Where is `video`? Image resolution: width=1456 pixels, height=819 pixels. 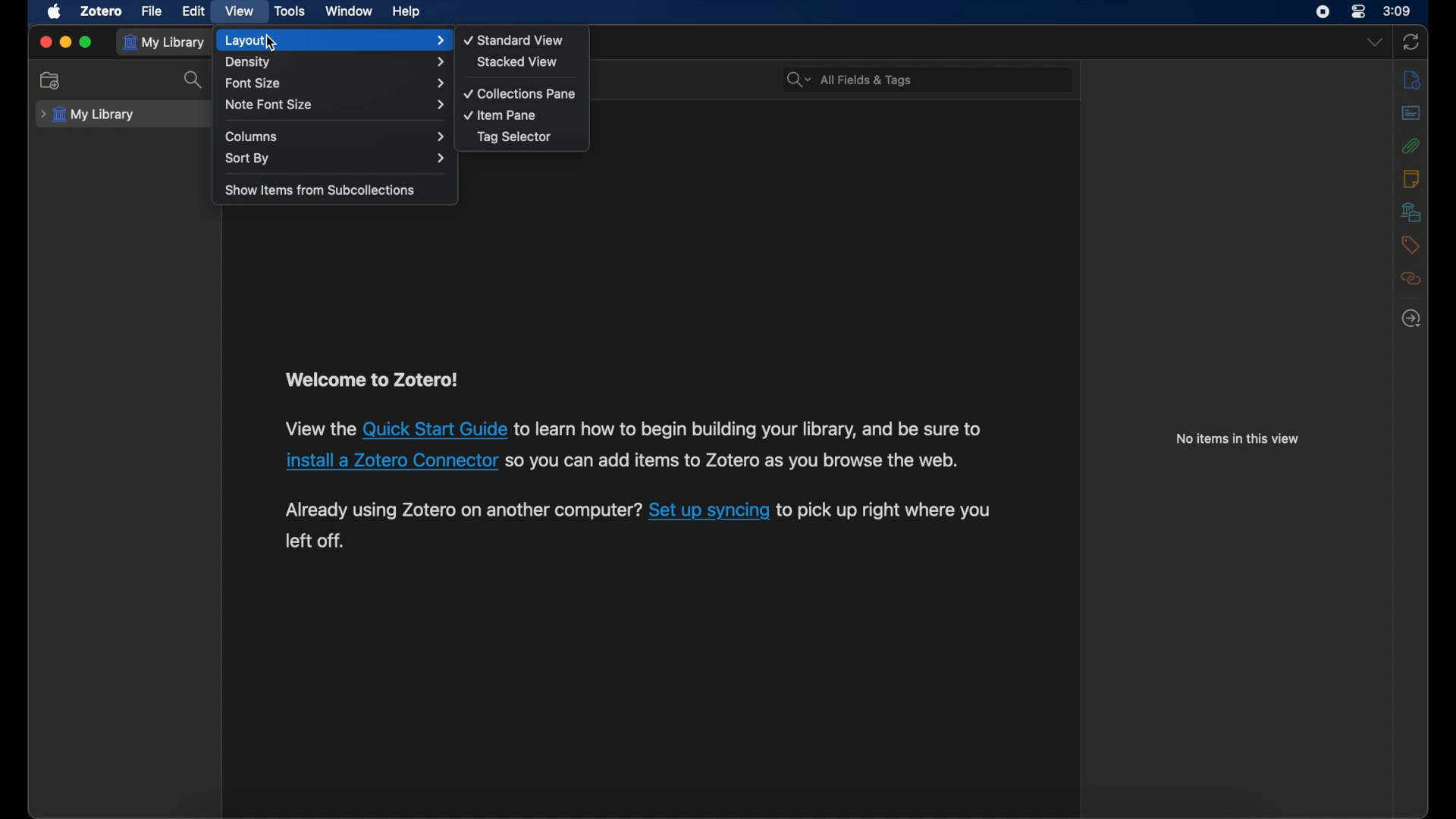
video is located at coordinates (238, 10).